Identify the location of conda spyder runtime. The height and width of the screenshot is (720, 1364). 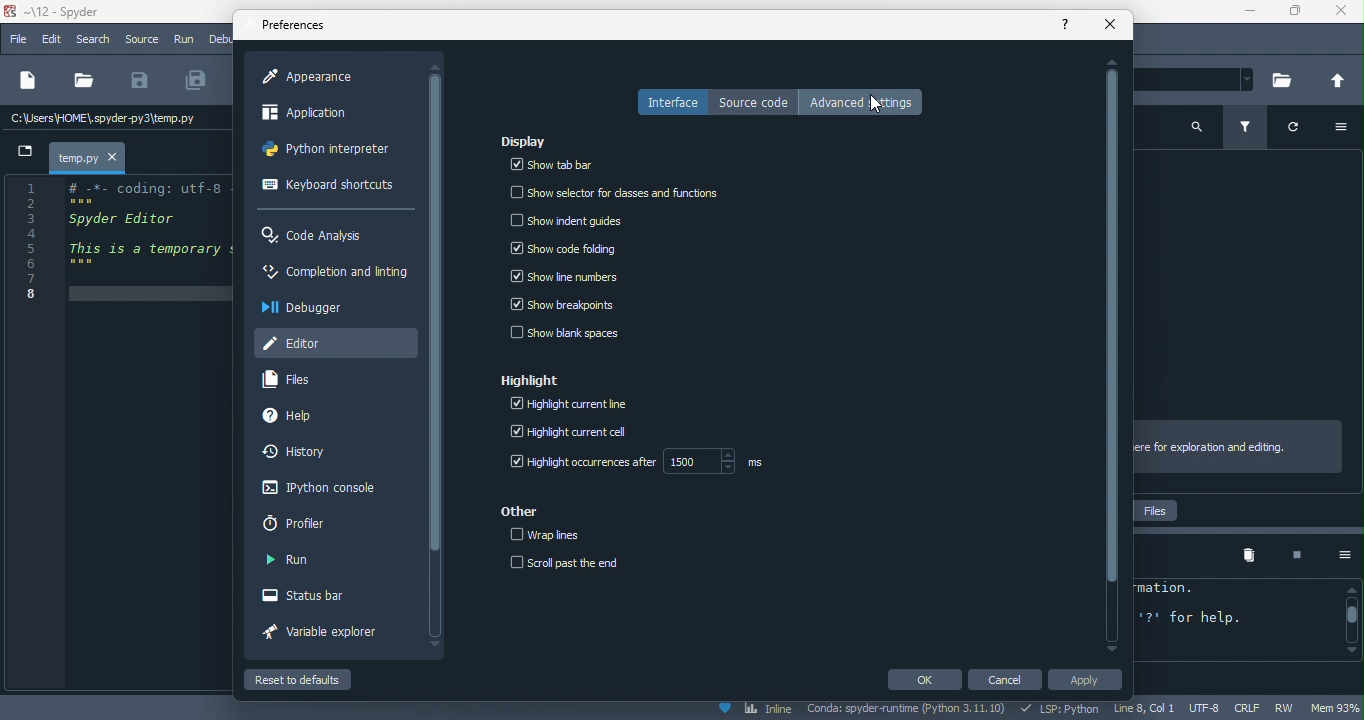
(908, 710).